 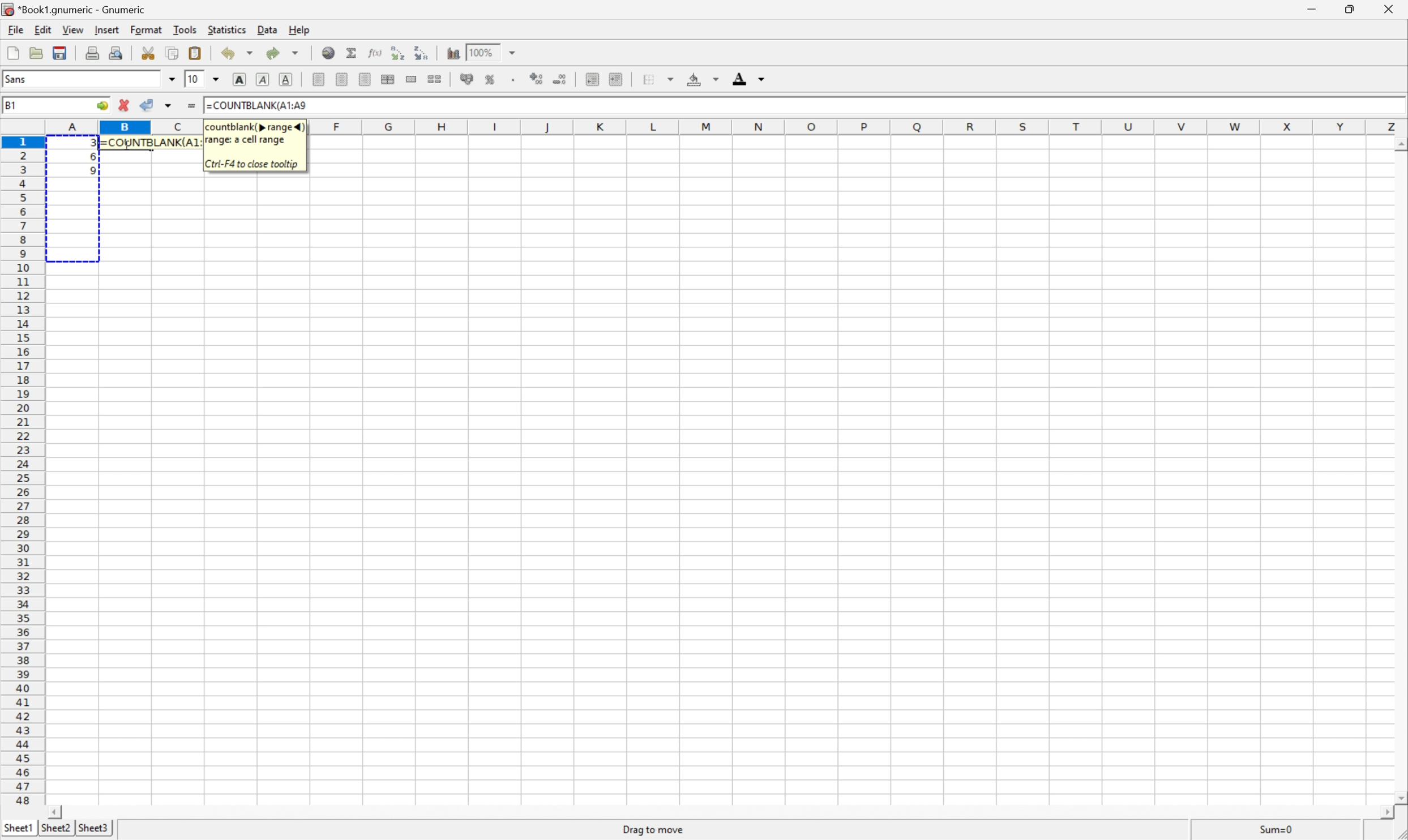 What do you see at coordinates (388, 78) in the screenshot?
I see `Center horizontally across selection` at bounding box center [388, 78].